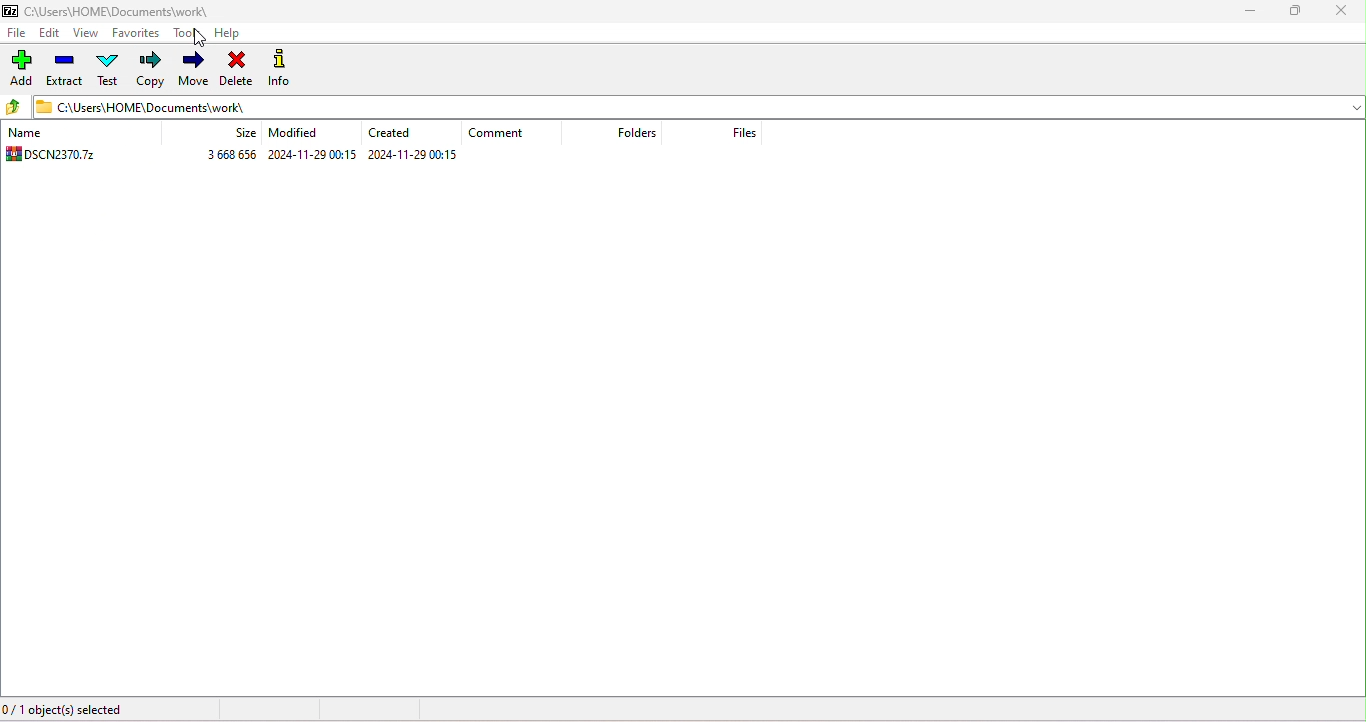 This screenshot has height=722, width=1366. Describe the element at coordinates (407, 134) in the screenshot. I see `created` at that location.